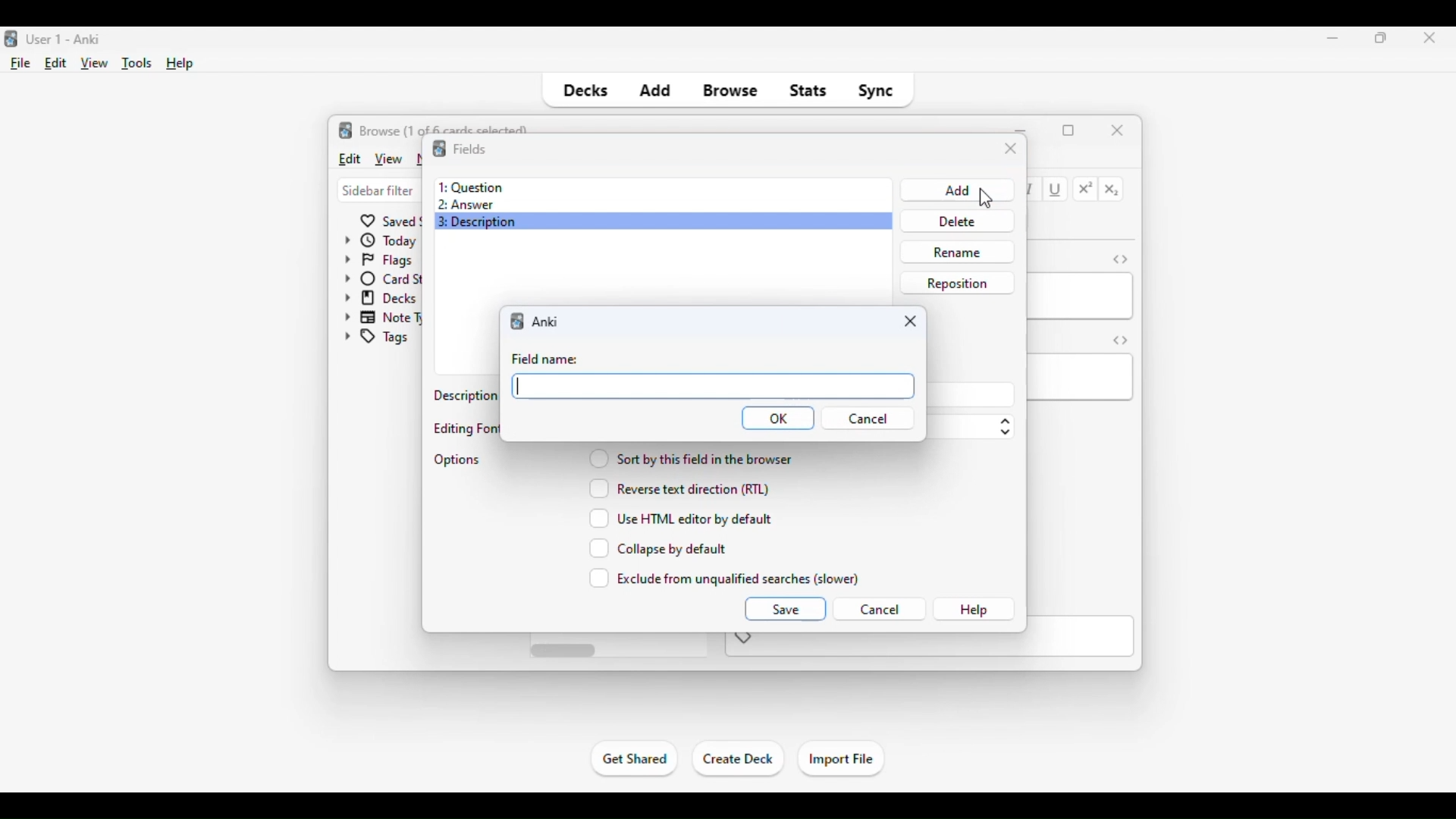 The width and height of the screenshot is (1456, 819). I want to click on import file, so click(840, 760).